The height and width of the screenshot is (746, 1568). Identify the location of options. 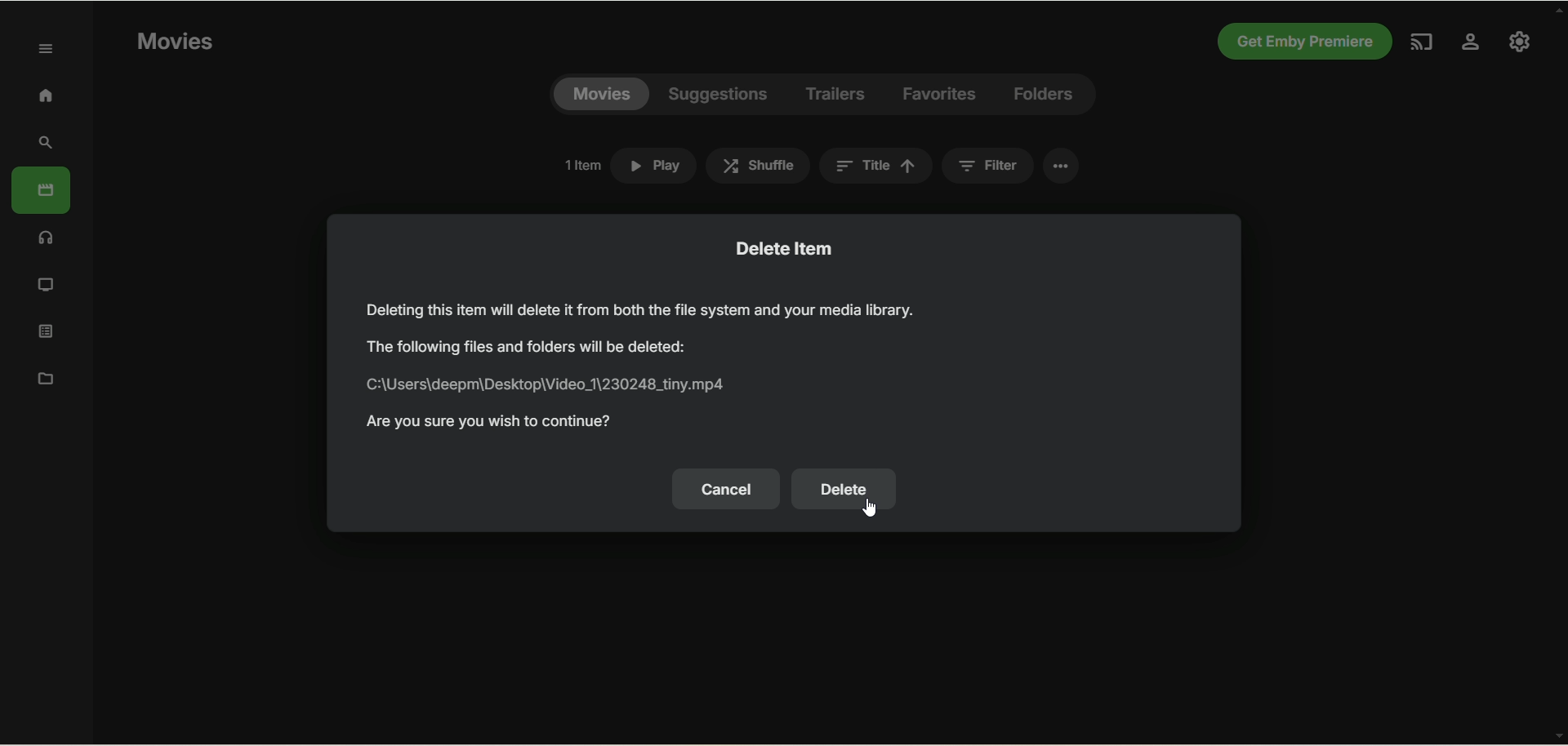
(1061, 166).